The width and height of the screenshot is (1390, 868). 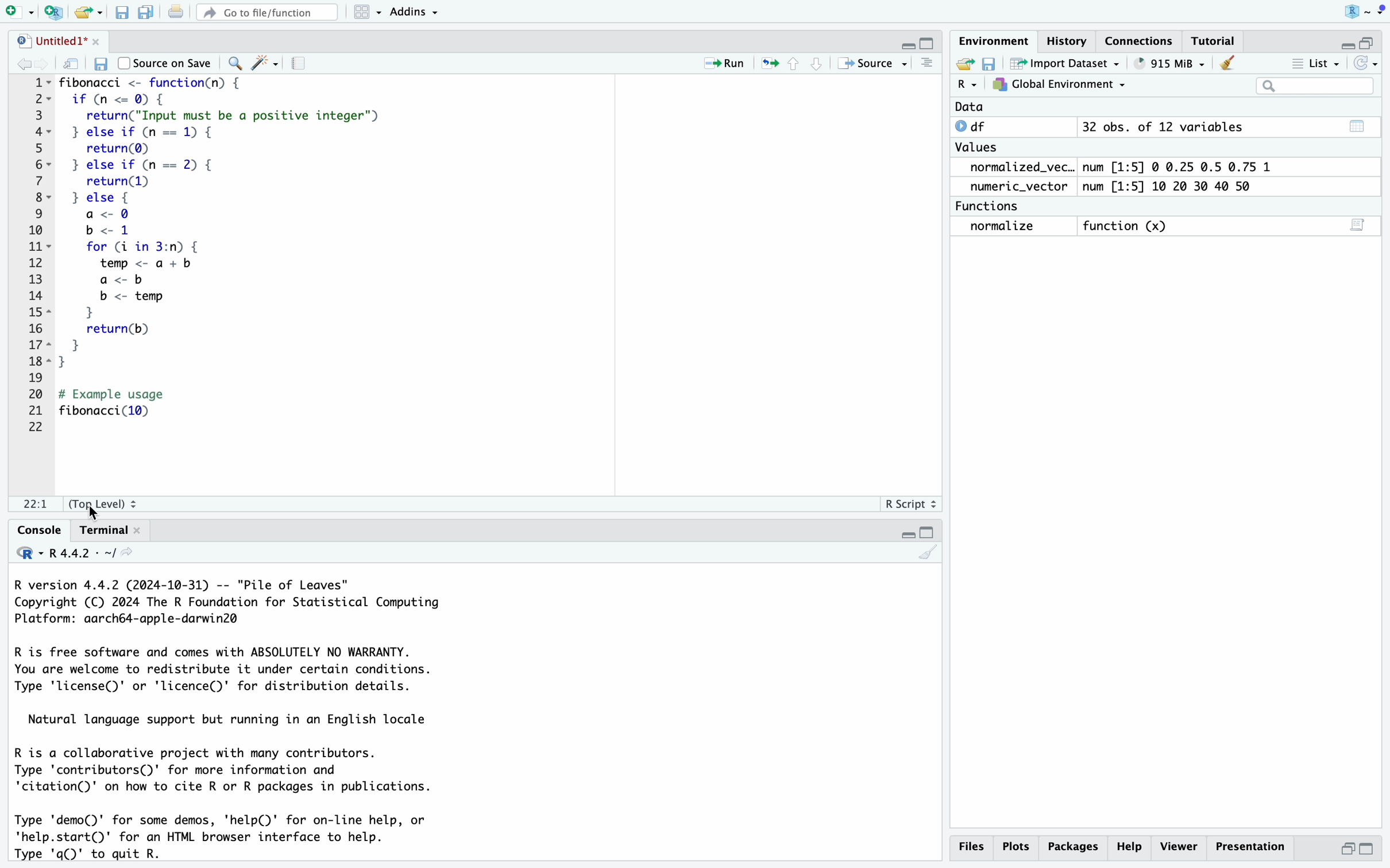 What do you see at coordinates (1364, 13) in the screenshot?
I see `RStudio` at bounding box center [1364, 13].